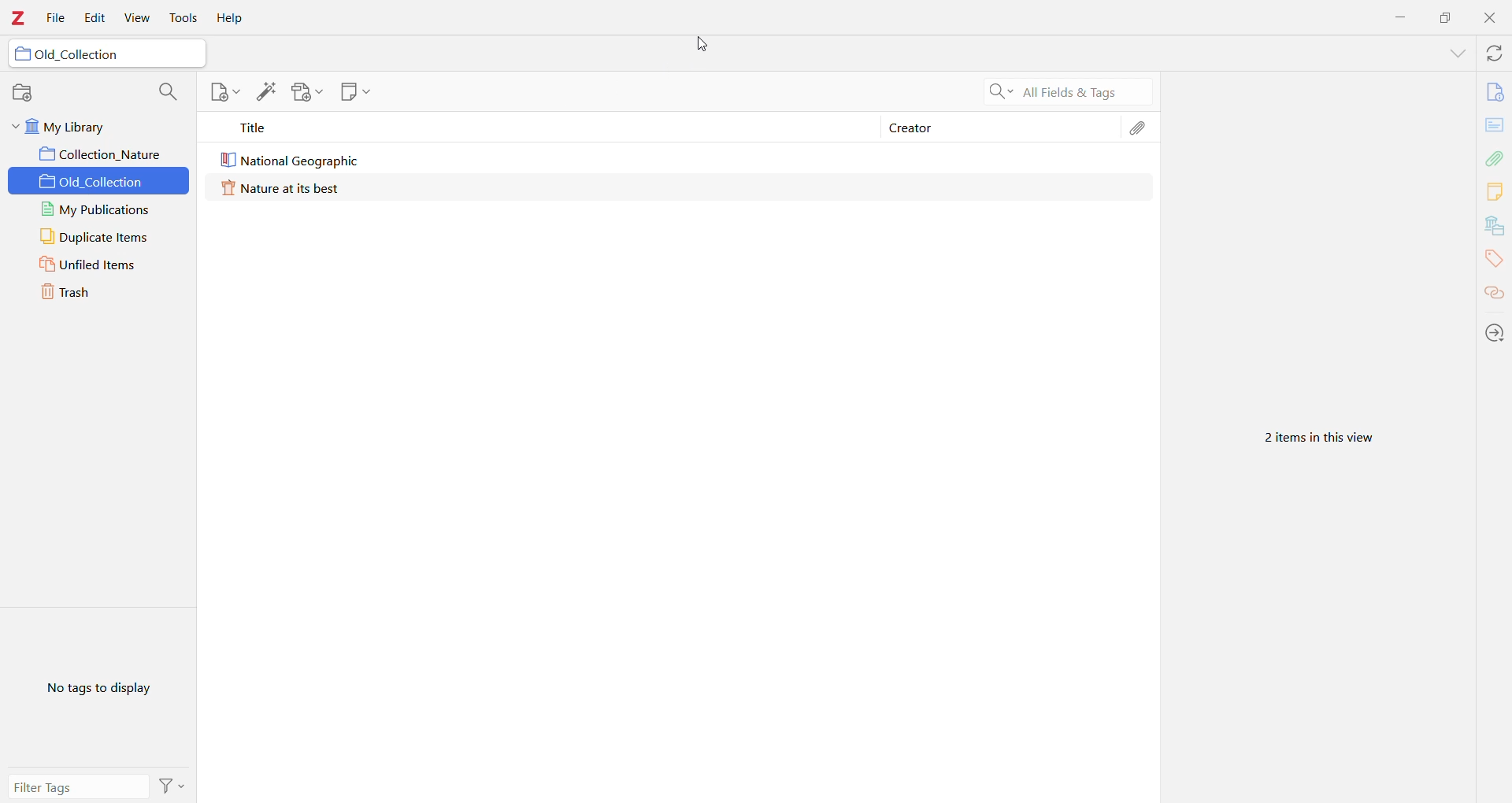 The width and height of the screenshot is (1512, 803). Describe the element at coordinates (1446, 17) in the screenshot. I see `Restore Down` at that location.